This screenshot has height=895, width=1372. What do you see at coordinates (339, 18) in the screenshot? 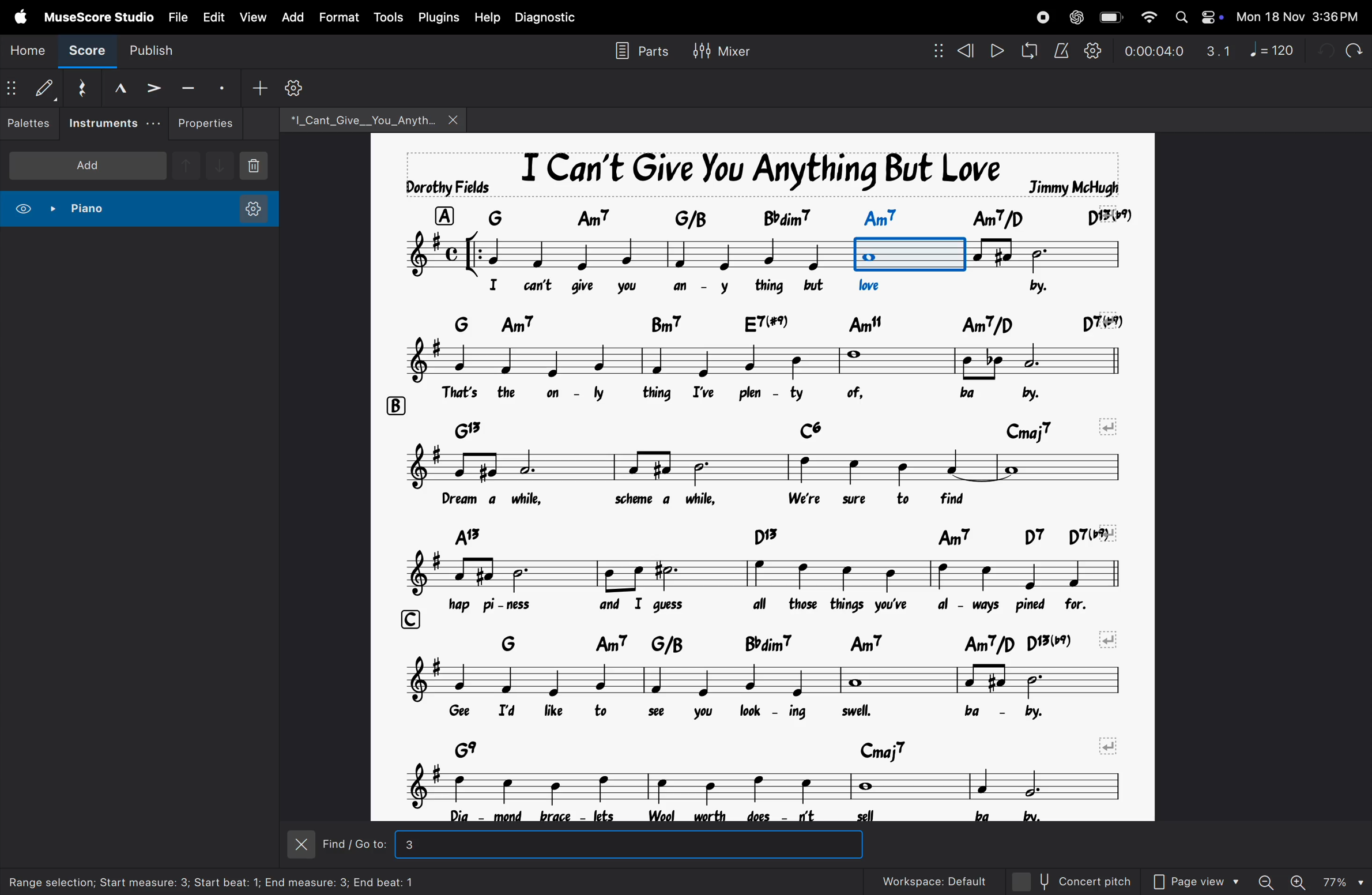
I see `format` at bounding box center [339, 18].